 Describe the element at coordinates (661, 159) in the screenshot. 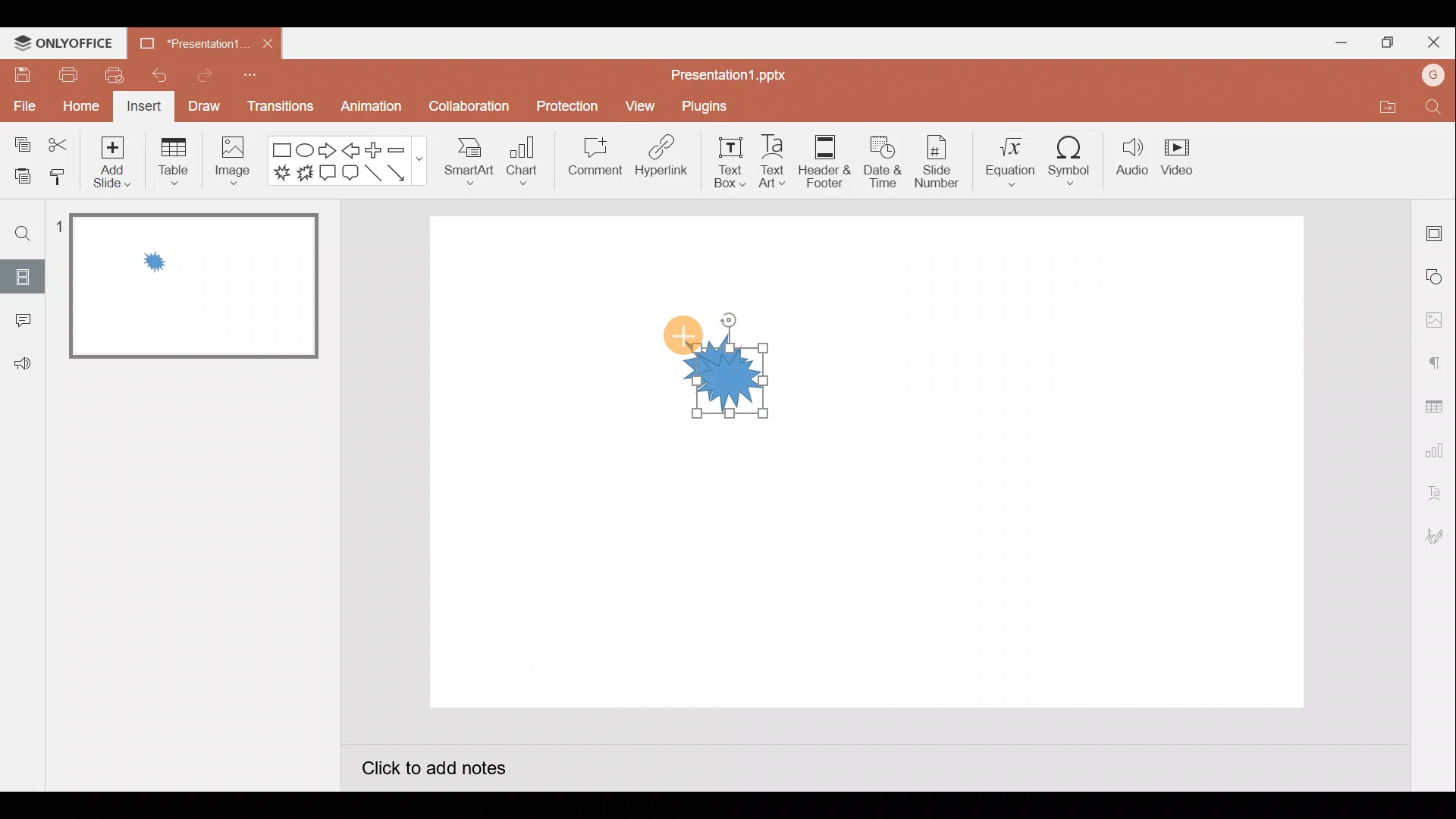

I see `Hyperlink` at that location.